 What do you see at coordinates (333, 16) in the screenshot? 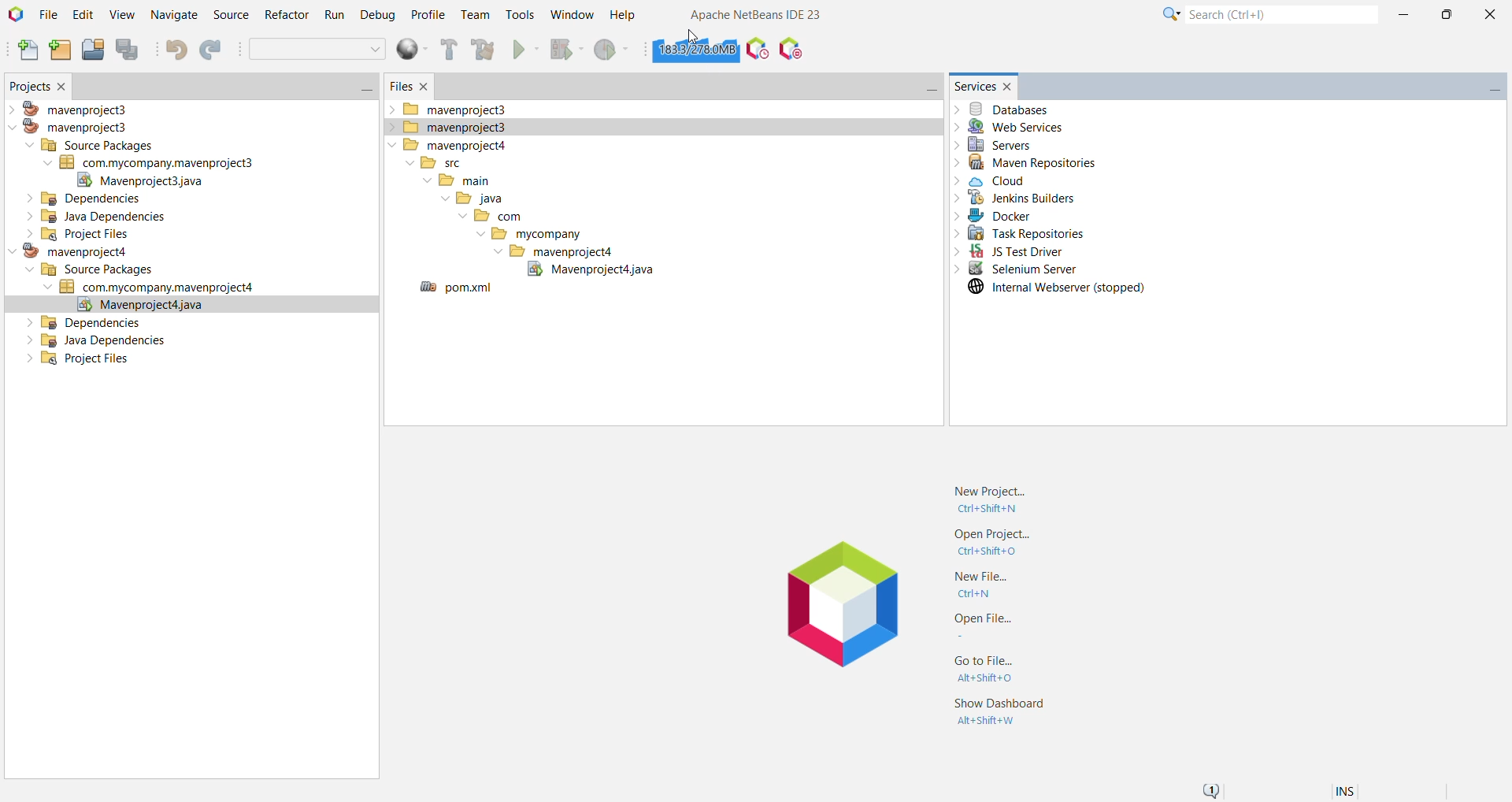
I see `Run` at bounding box center [333, 16].